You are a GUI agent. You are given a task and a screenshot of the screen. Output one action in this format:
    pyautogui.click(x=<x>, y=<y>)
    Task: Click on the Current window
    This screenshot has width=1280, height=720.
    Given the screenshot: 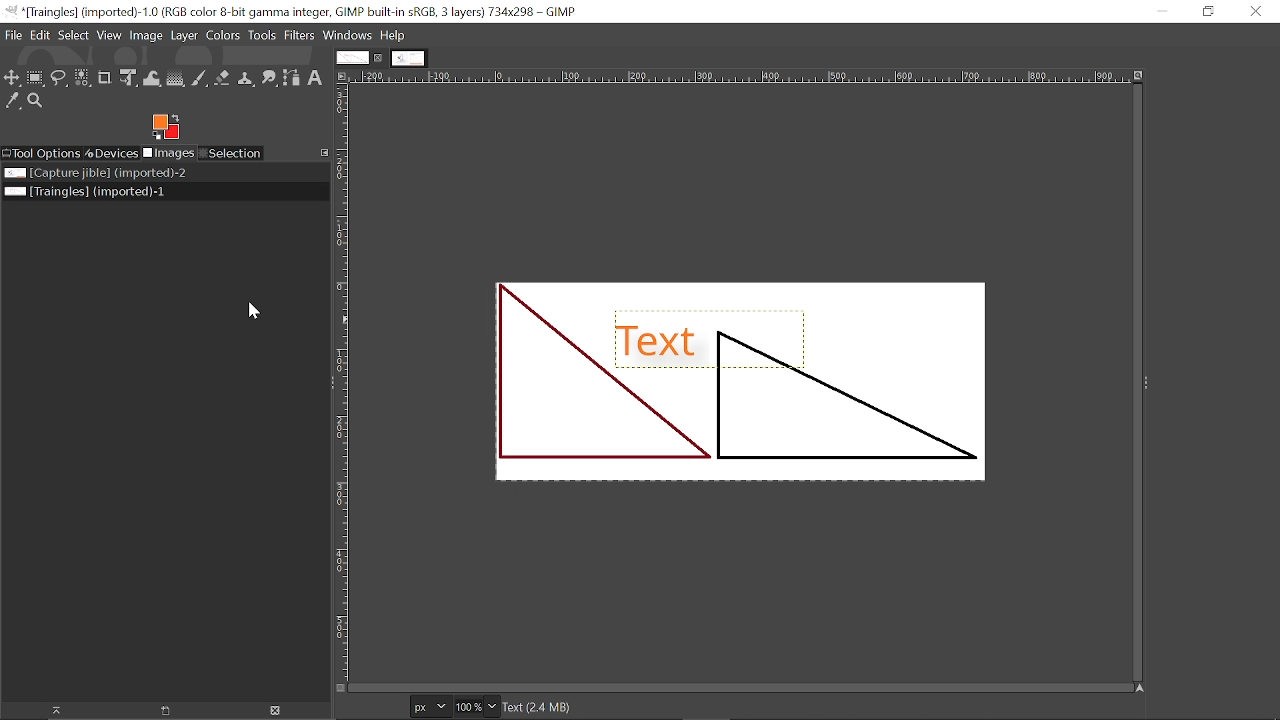 What is the action you would take?
    pyautogui.click(x=294, y=12)
    